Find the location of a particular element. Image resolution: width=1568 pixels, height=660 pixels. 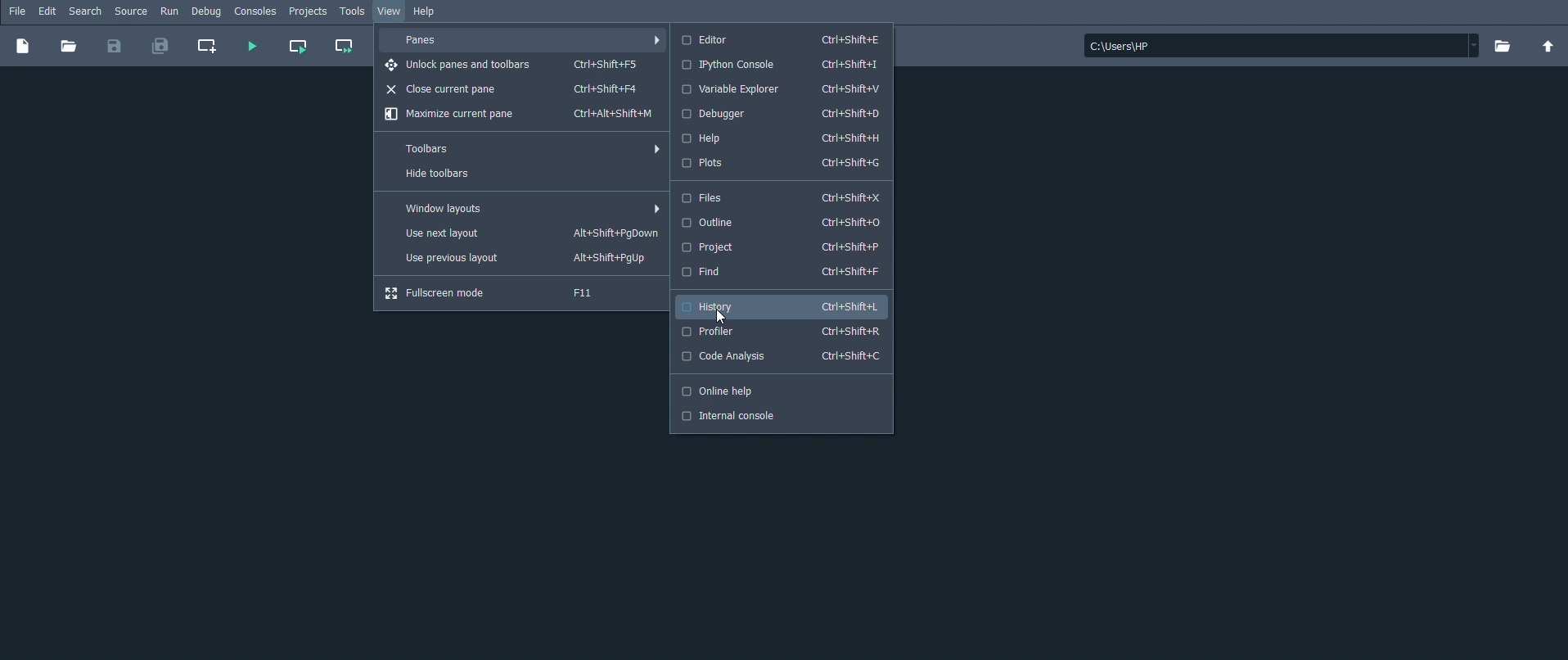

History is located at coordinates (786, 306).